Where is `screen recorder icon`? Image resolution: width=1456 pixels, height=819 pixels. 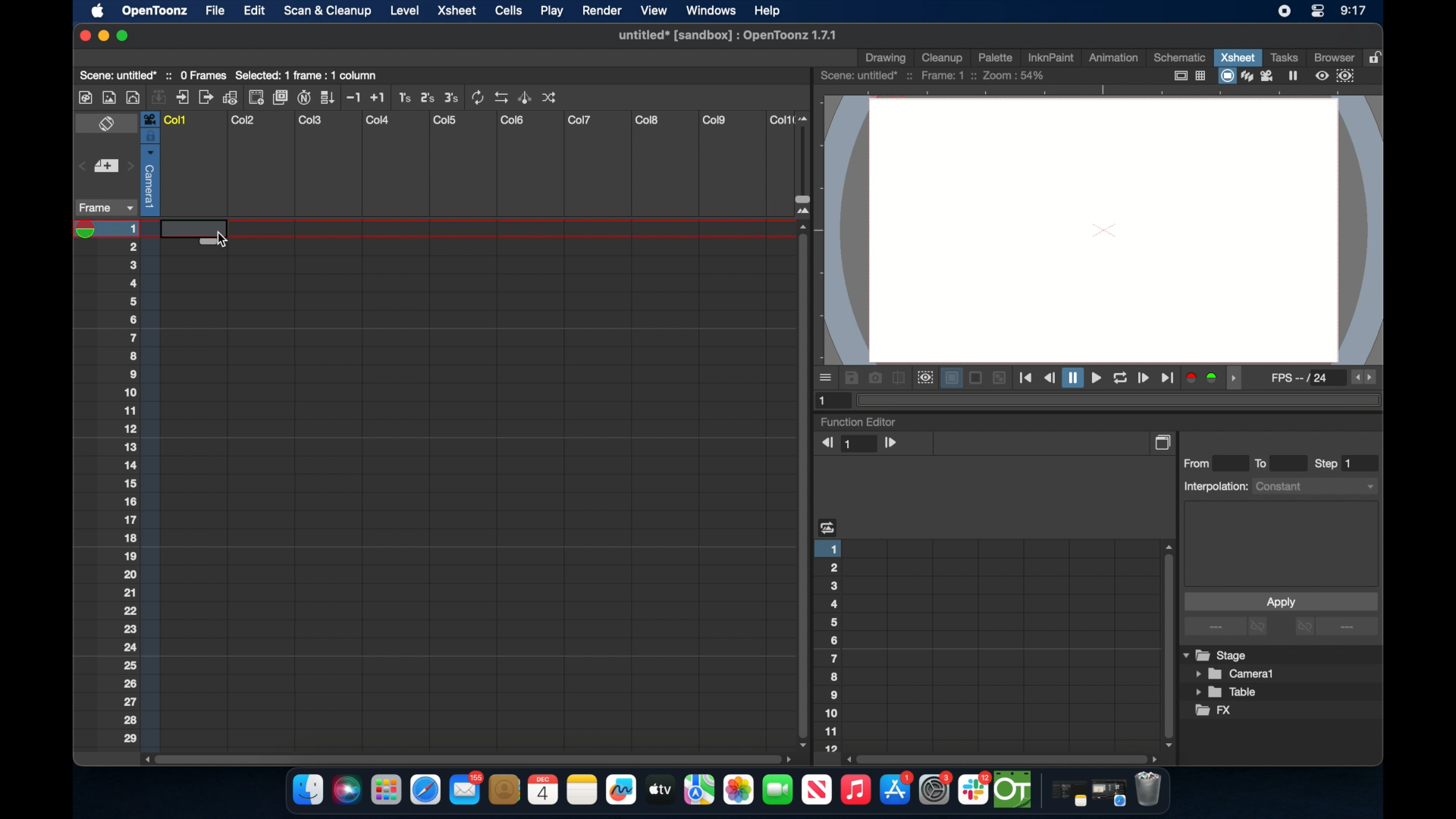
screen recorder icon is located at coordinates (1284, 11).